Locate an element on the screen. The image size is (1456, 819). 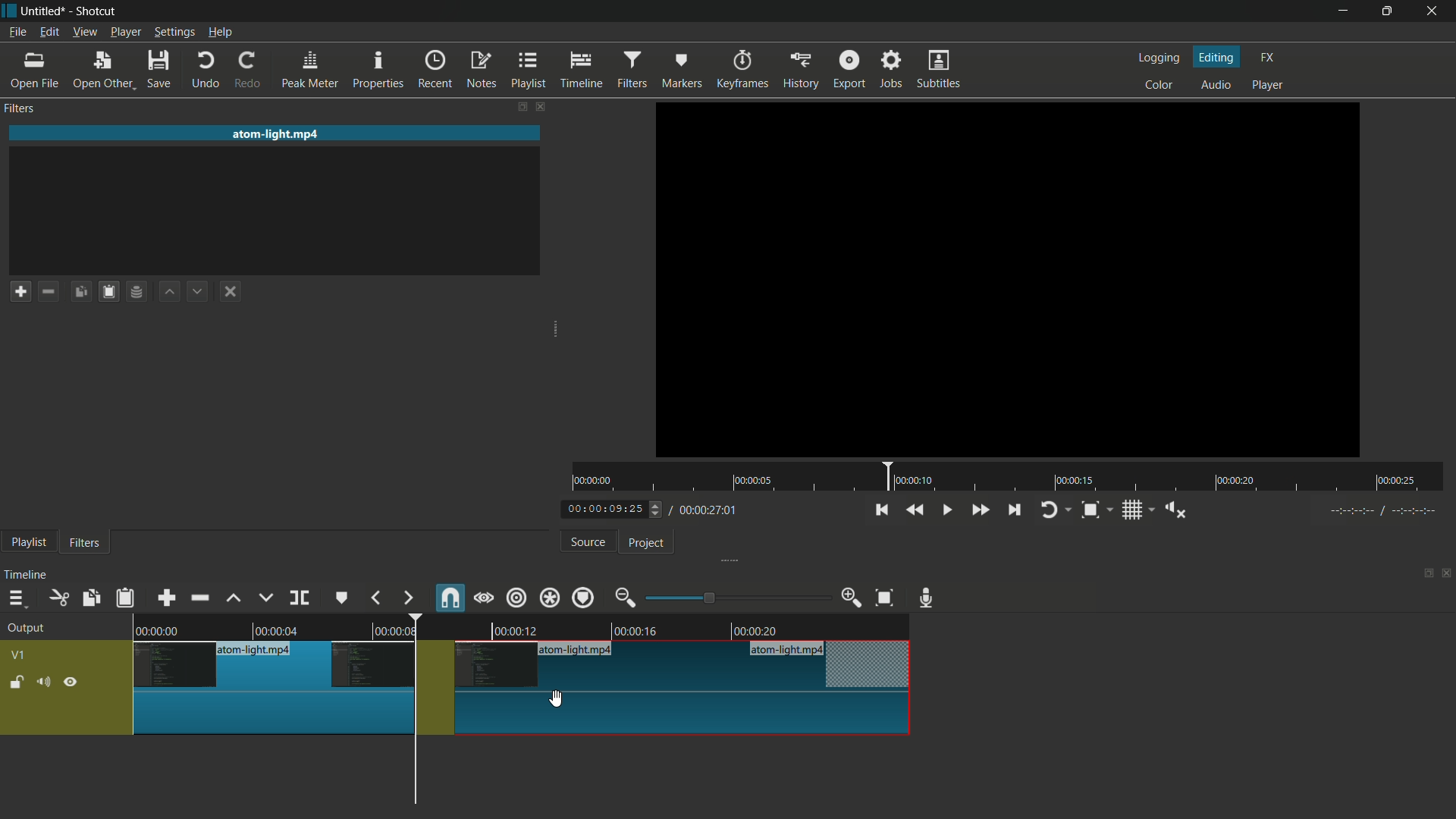
video track v1 is located at coordinates (519, 666).